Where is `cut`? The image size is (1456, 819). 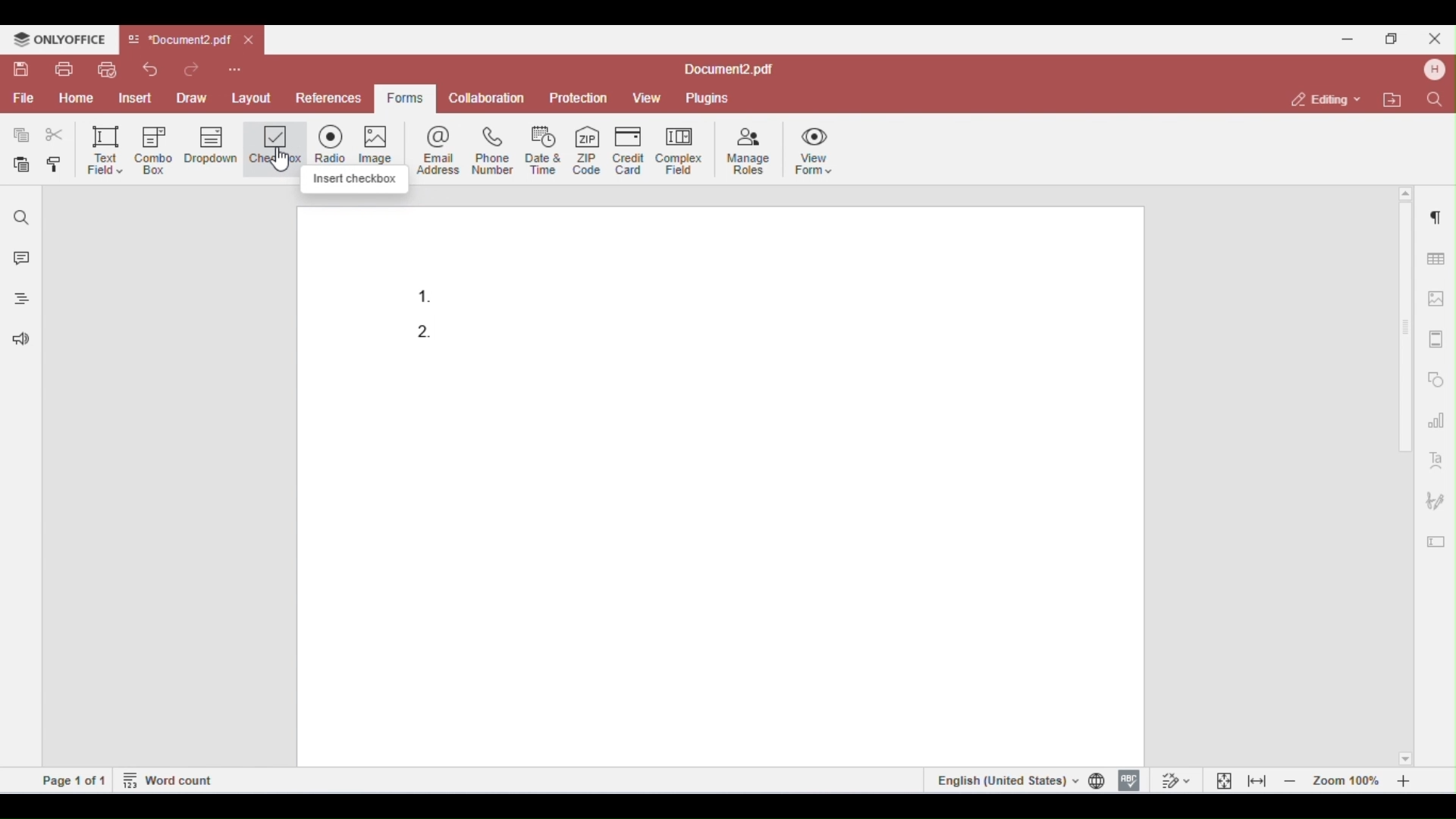 cut is located at coordinates (55, 135).